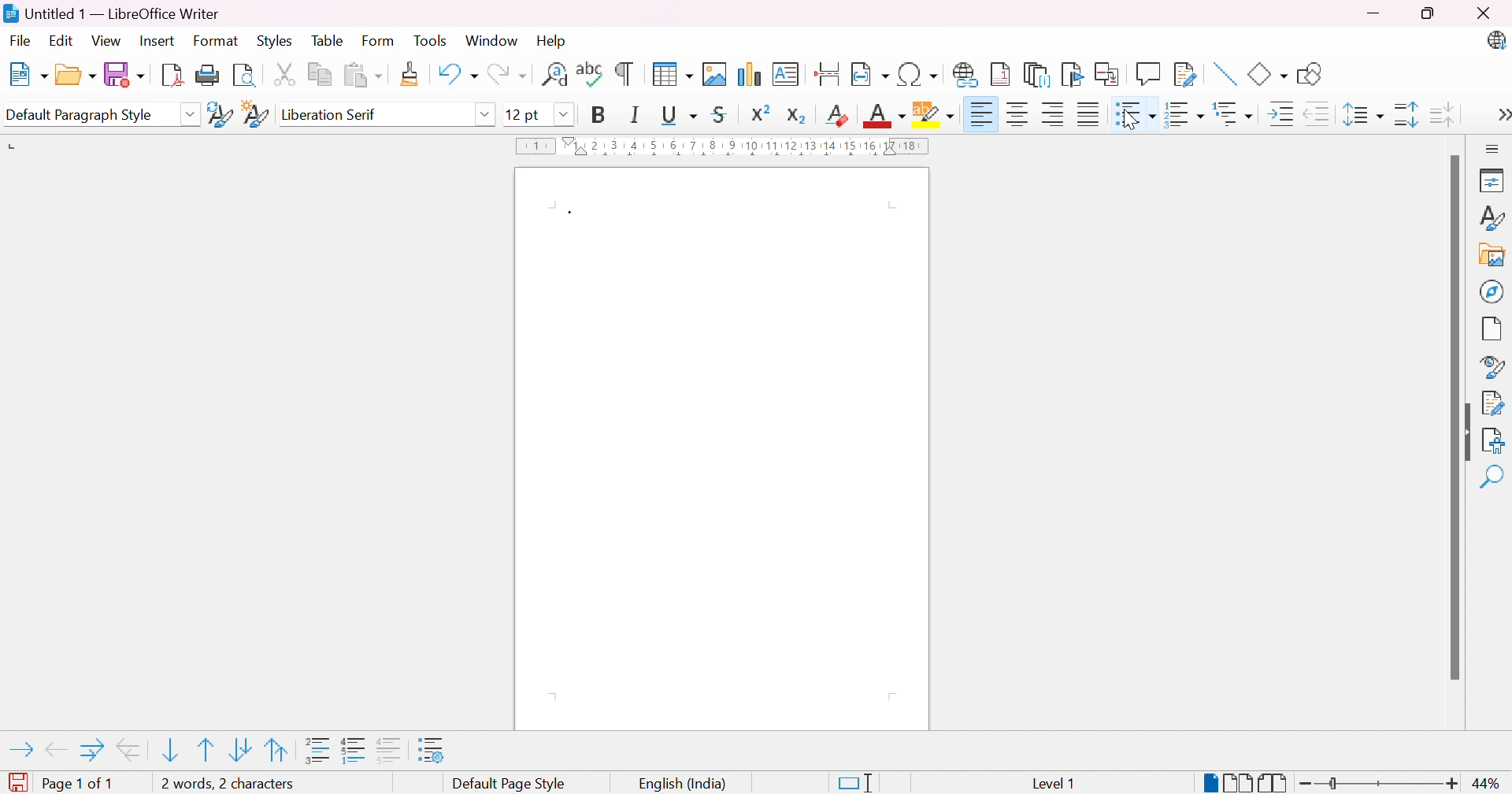 The width and height of the screenshot is (1512, 794). What do you see at coordinates (249, 76) in the screenshot?
I see `Toggle print preview` at bounding box center [249, 76].